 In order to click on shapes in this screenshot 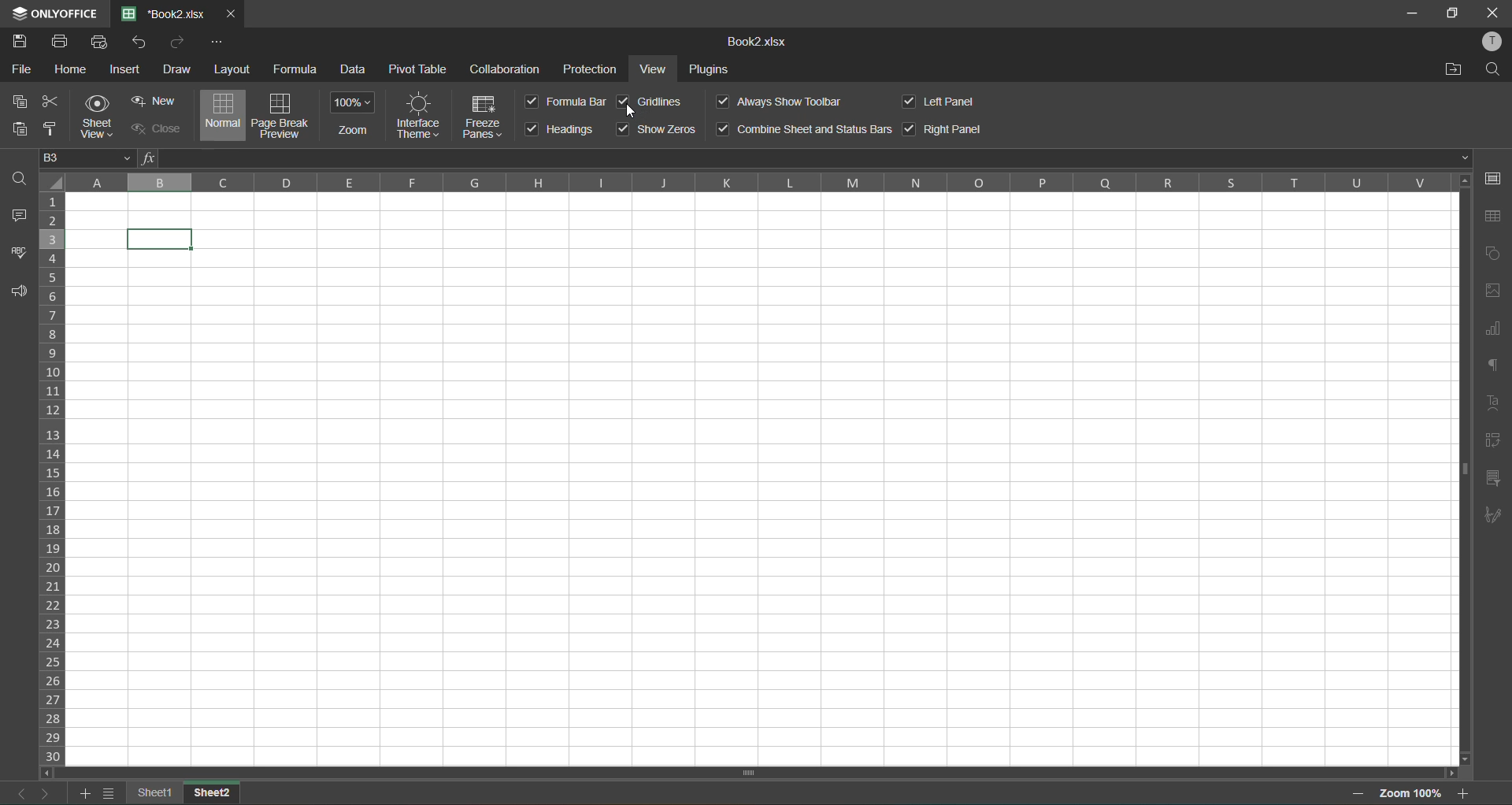, I will do `click(1493, 253)`.